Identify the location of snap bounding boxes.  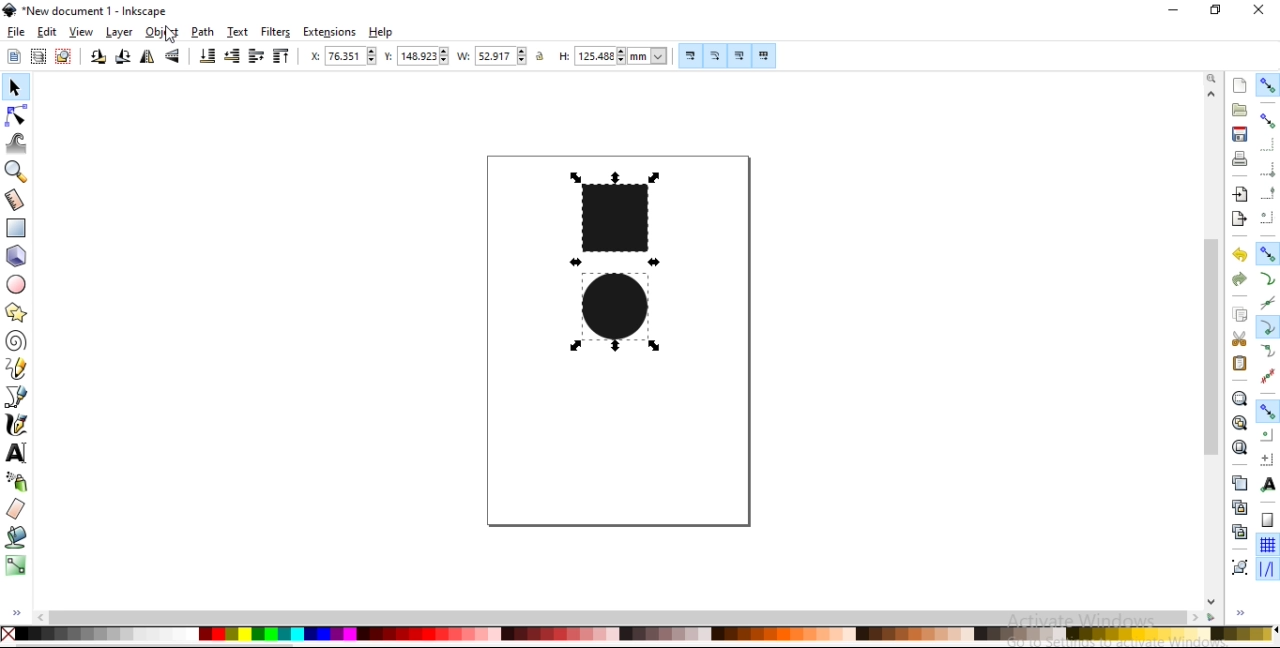
(1267, 119).